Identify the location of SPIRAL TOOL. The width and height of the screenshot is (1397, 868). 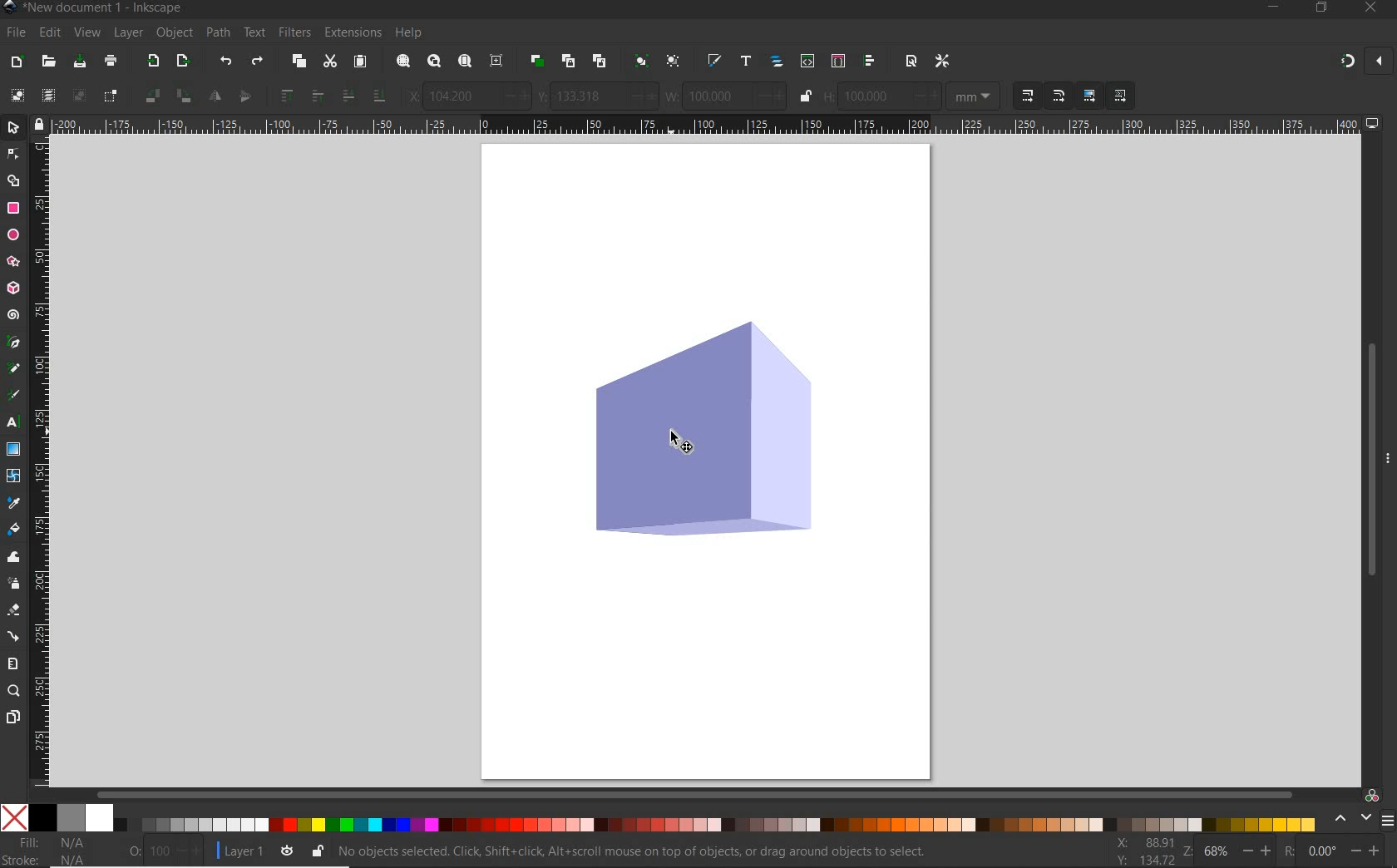
(13, 314).